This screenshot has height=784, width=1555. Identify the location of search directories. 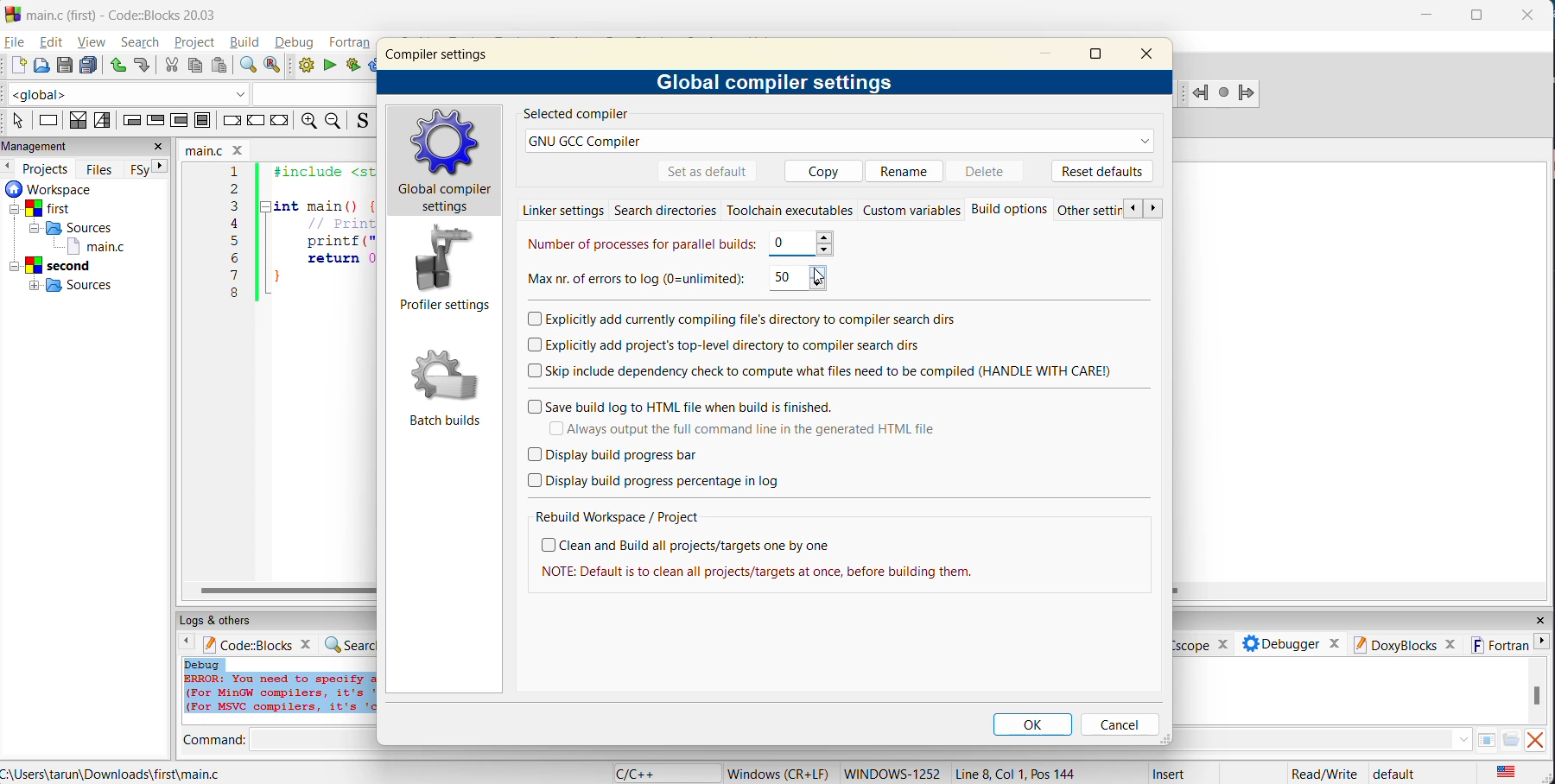
(665, 210).